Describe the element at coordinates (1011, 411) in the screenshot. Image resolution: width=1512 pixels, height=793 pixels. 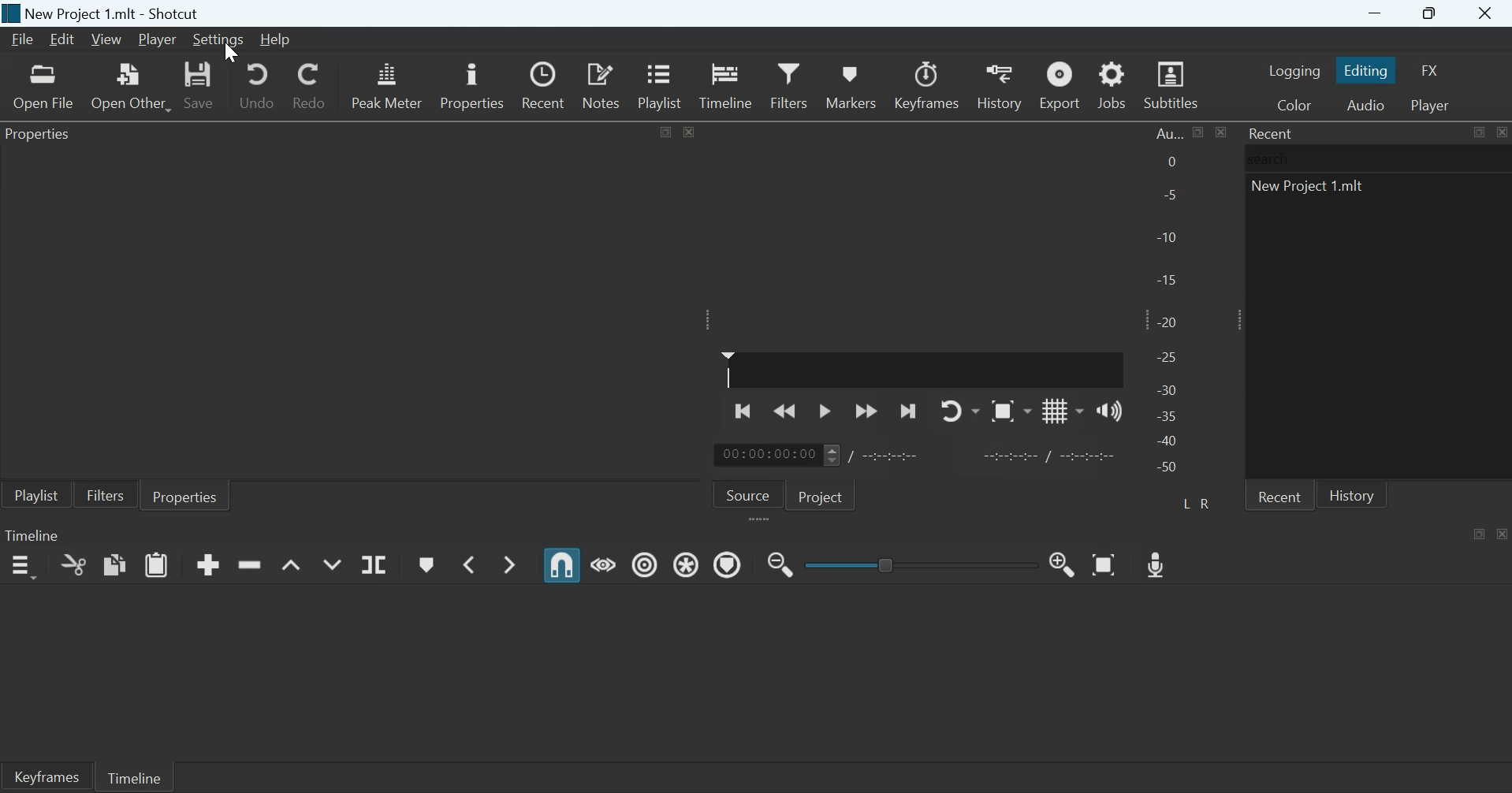
I see `toggle zoom` at that location.